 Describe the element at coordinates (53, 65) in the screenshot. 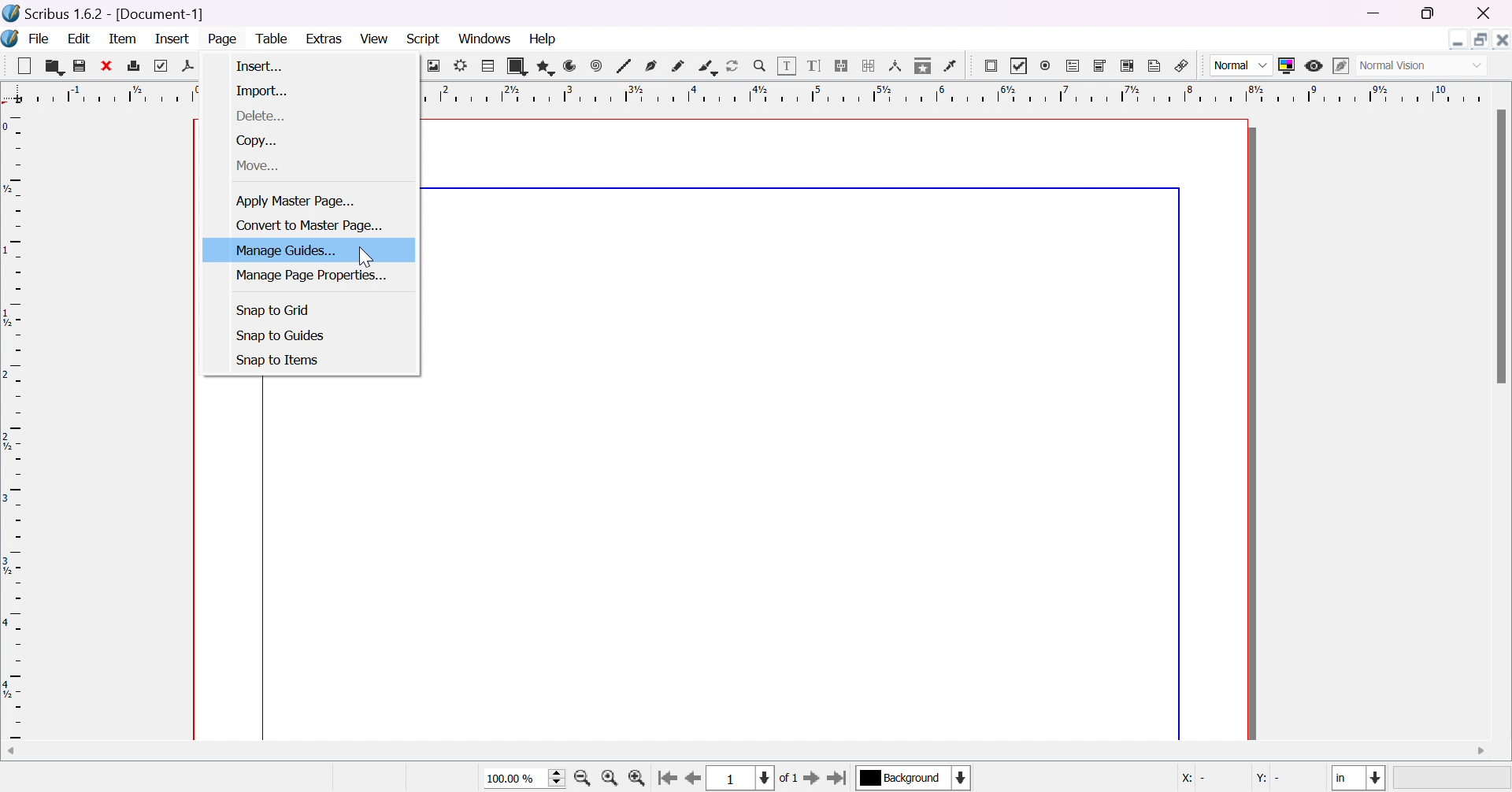

I see `open` at that location.